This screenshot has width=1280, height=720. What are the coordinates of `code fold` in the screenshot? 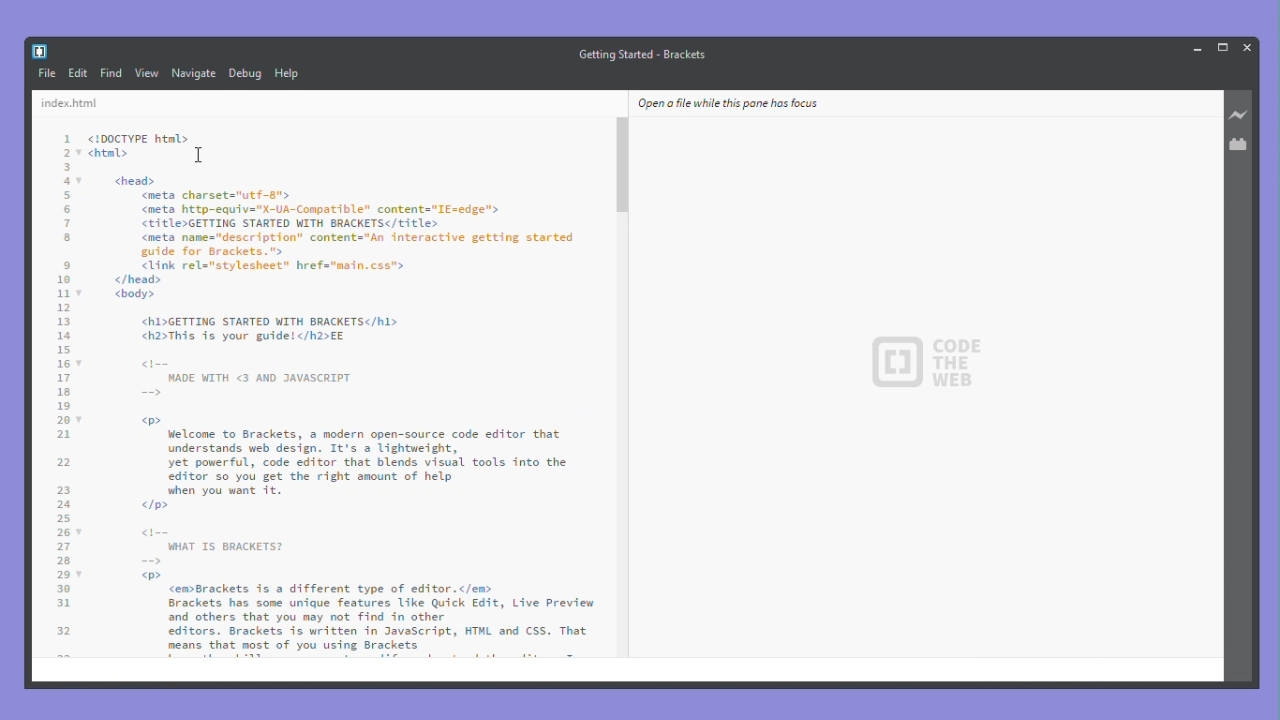 It's located at (81, 364).